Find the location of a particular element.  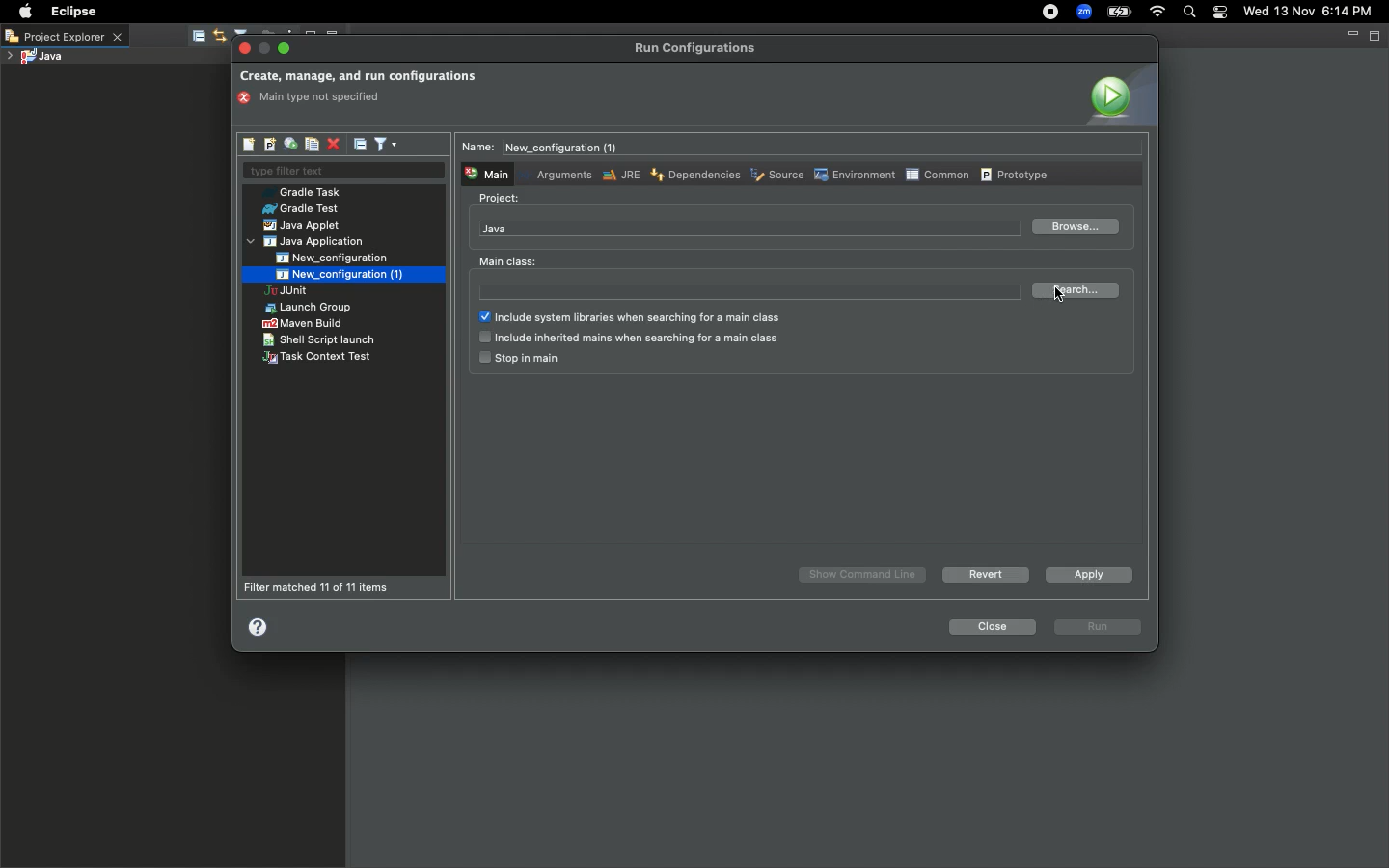

Charge is located at coordinates (1119, 14).